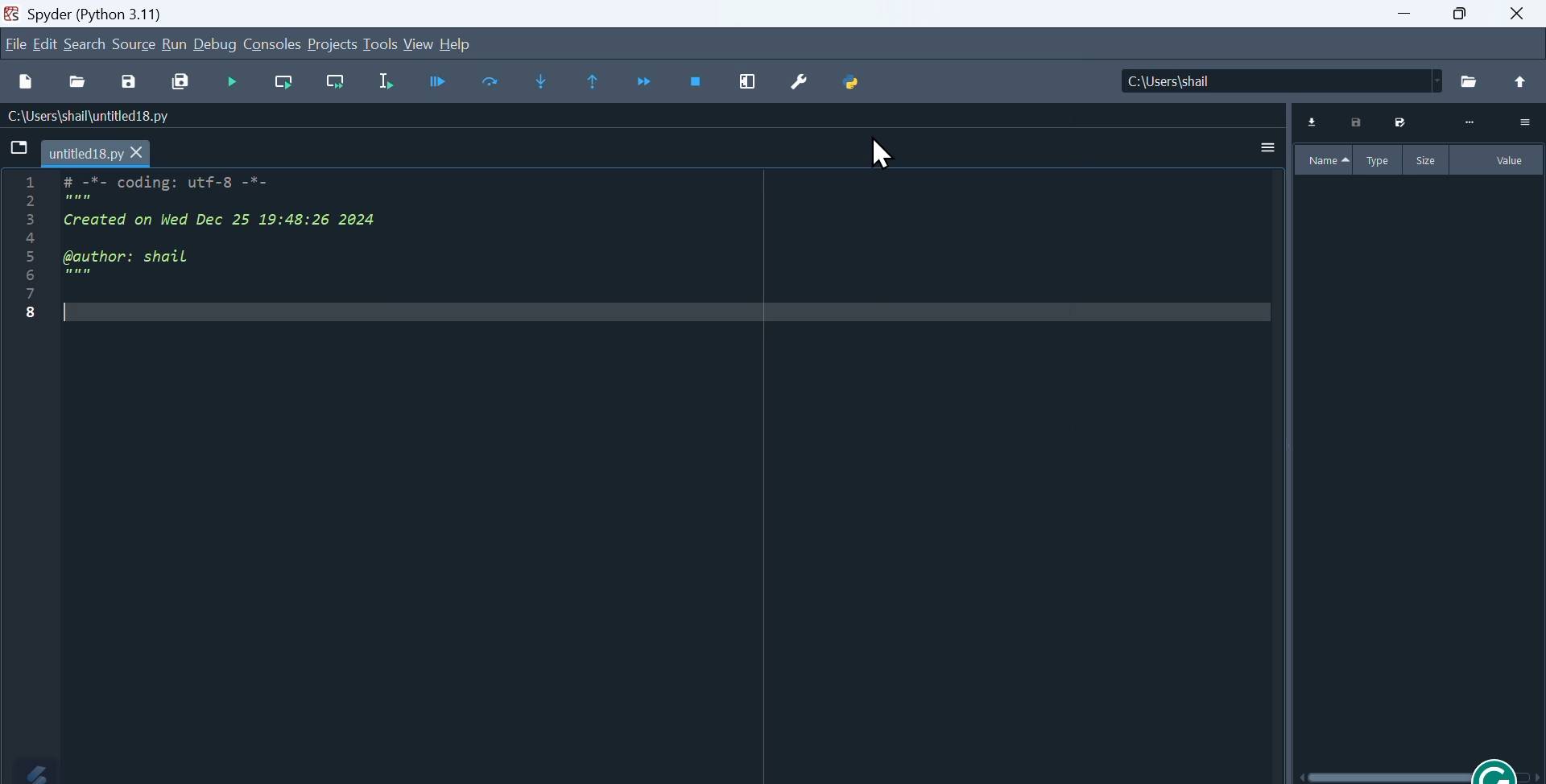  Describe the element at coordinates (338, 80) in the screenshot. I see `run current sale and go to the next one` at that location.